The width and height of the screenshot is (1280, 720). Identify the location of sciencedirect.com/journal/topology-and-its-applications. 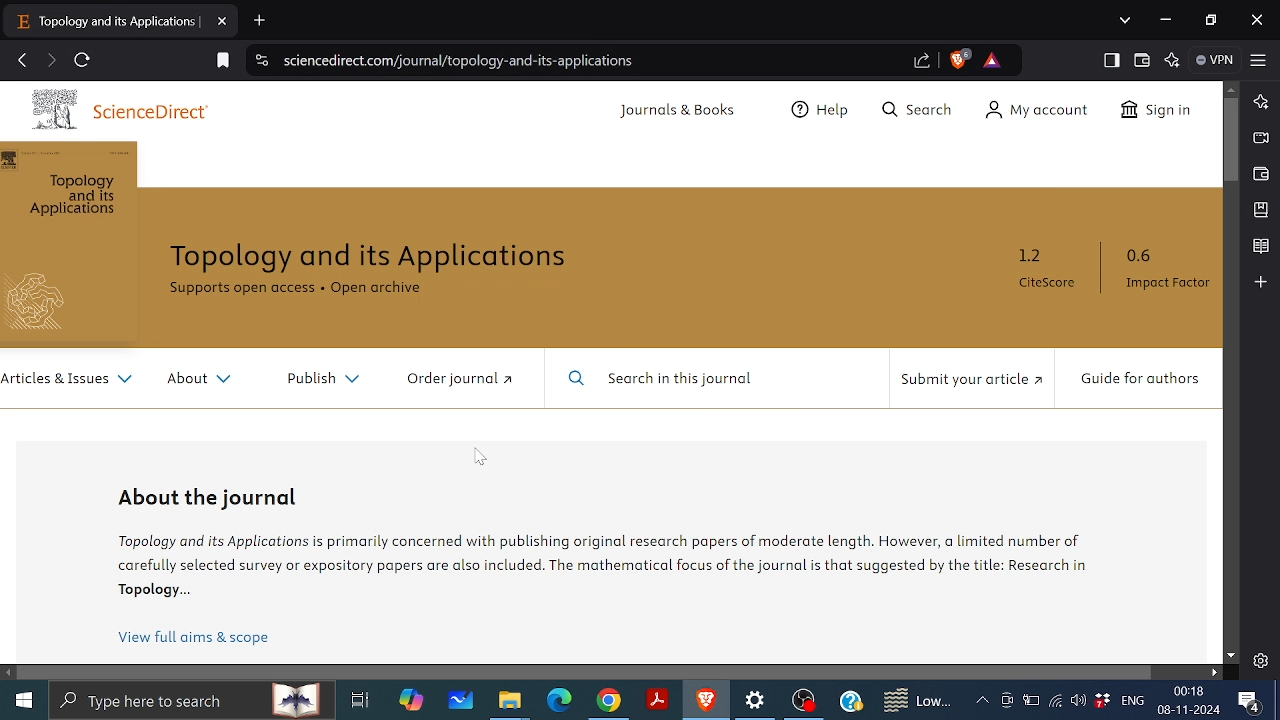
(457, 60).